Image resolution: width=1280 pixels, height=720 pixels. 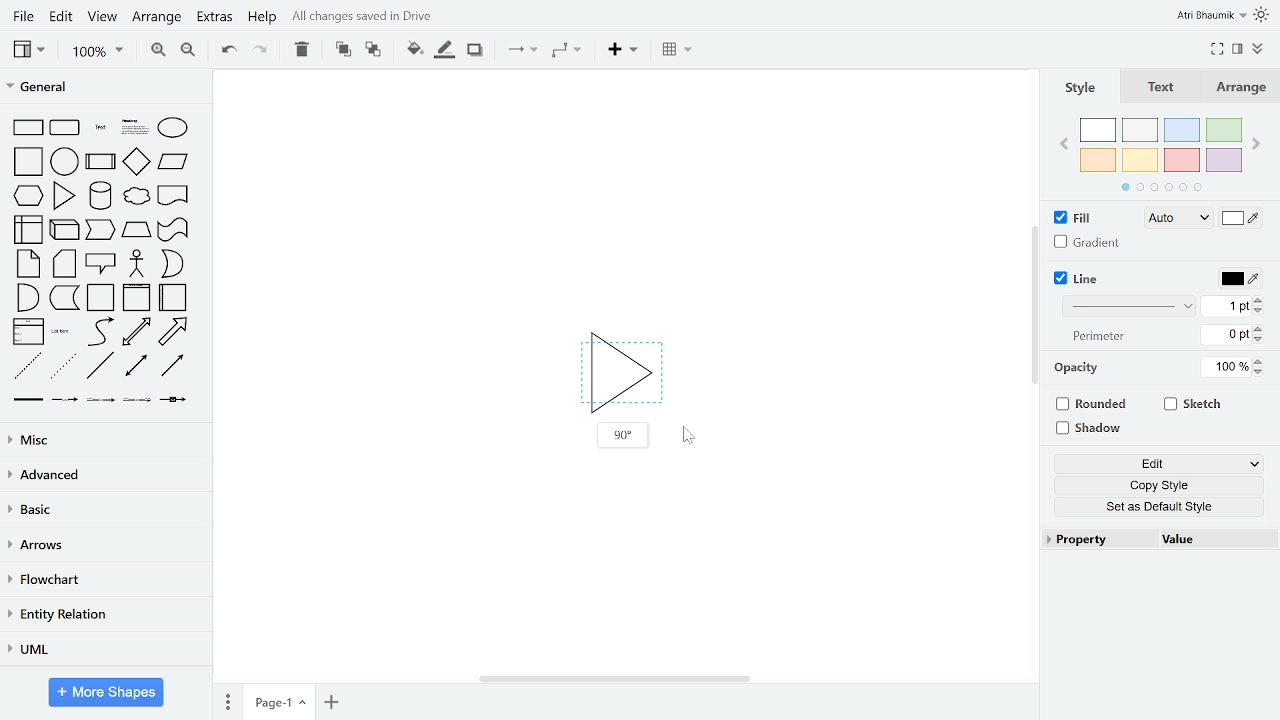 What do you see at coordinates (101, 161) in the screenshot?
I see `process` at bounding box center [101, 161].